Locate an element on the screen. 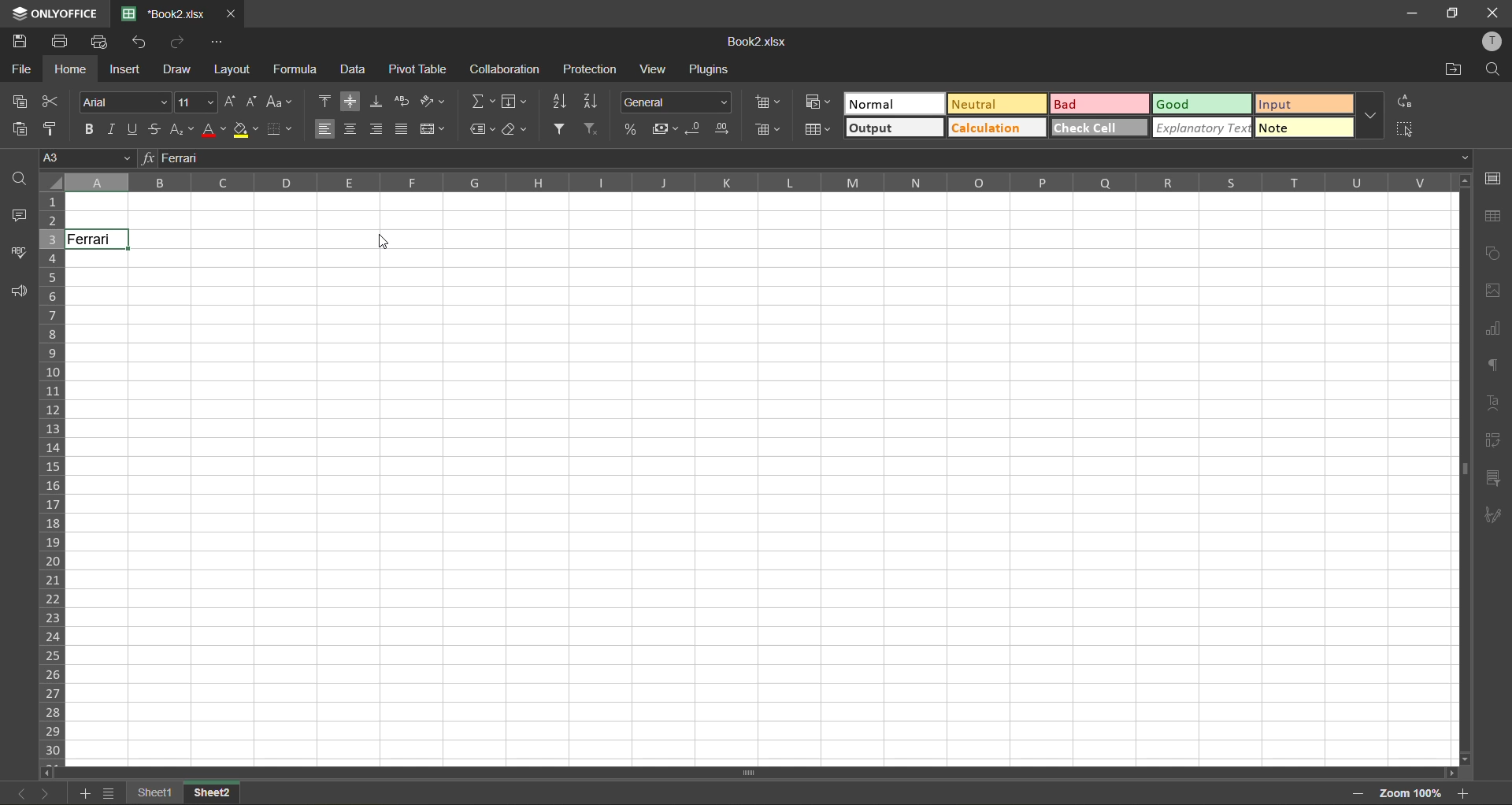 The width and height of the screenshot is (1512, 805). decrease decimal is located at coordinates (695, 130).